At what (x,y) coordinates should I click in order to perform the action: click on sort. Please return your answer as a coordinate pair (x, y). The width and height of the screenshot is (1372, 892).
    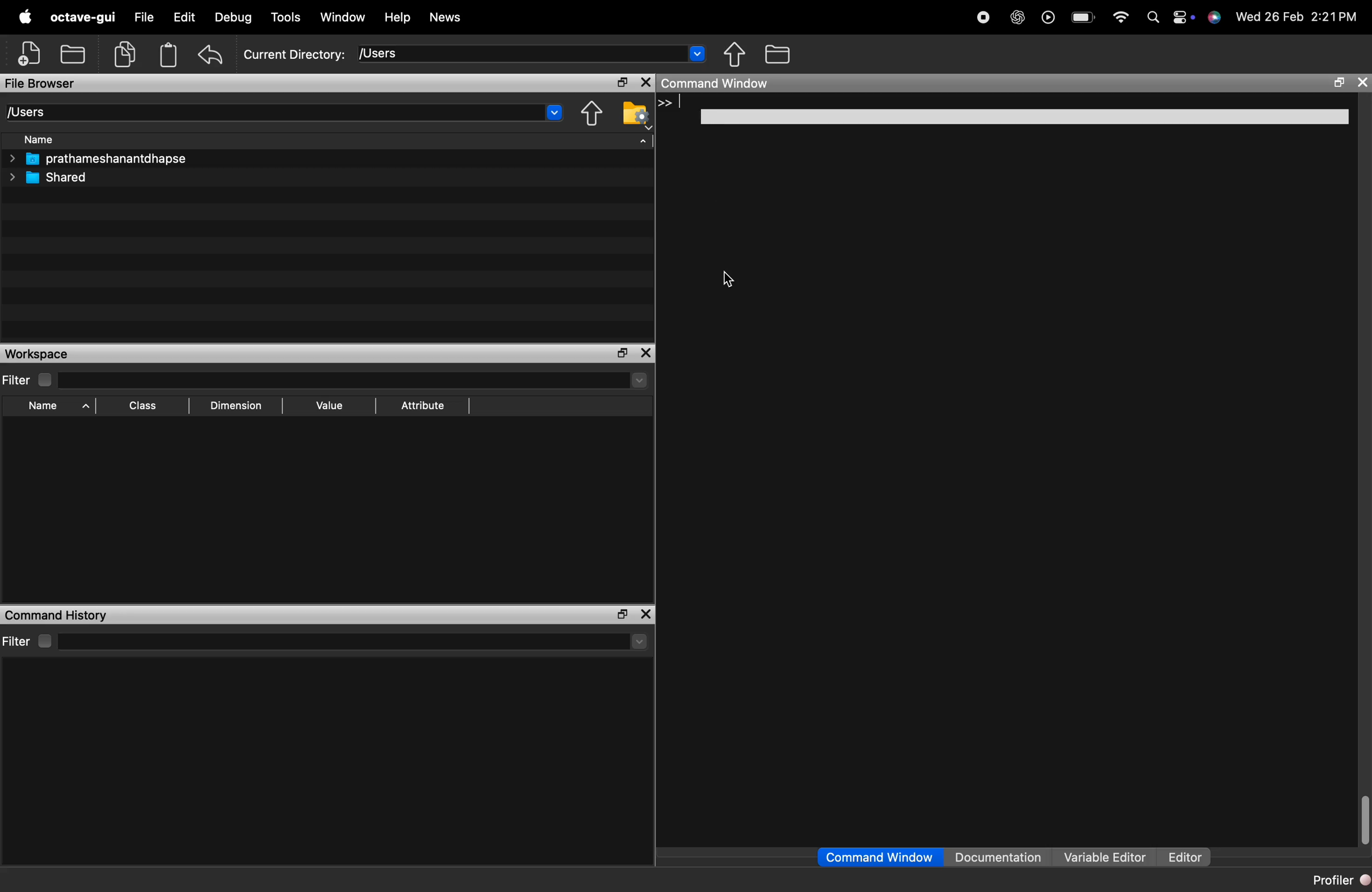
    Looking at the image, I should click on (638, 143).